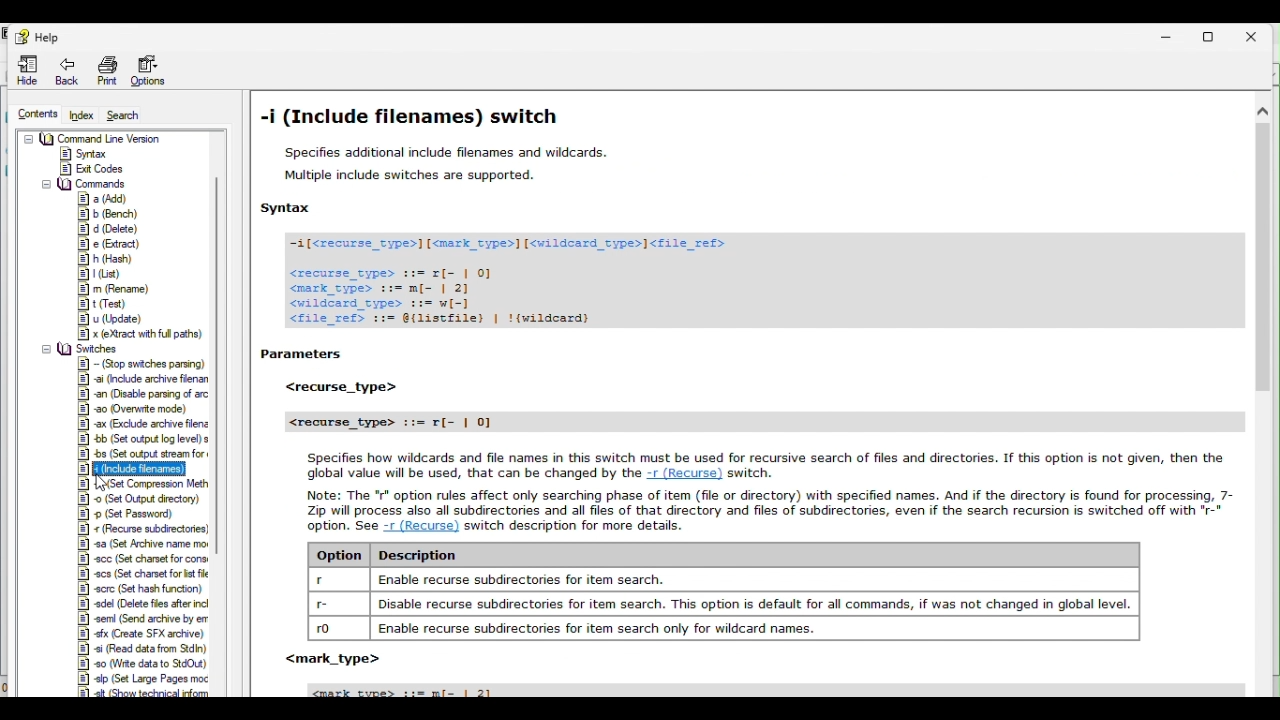 This screenshot has height=720, width=1280. I want to click on Set compression method, so click(143, 484).